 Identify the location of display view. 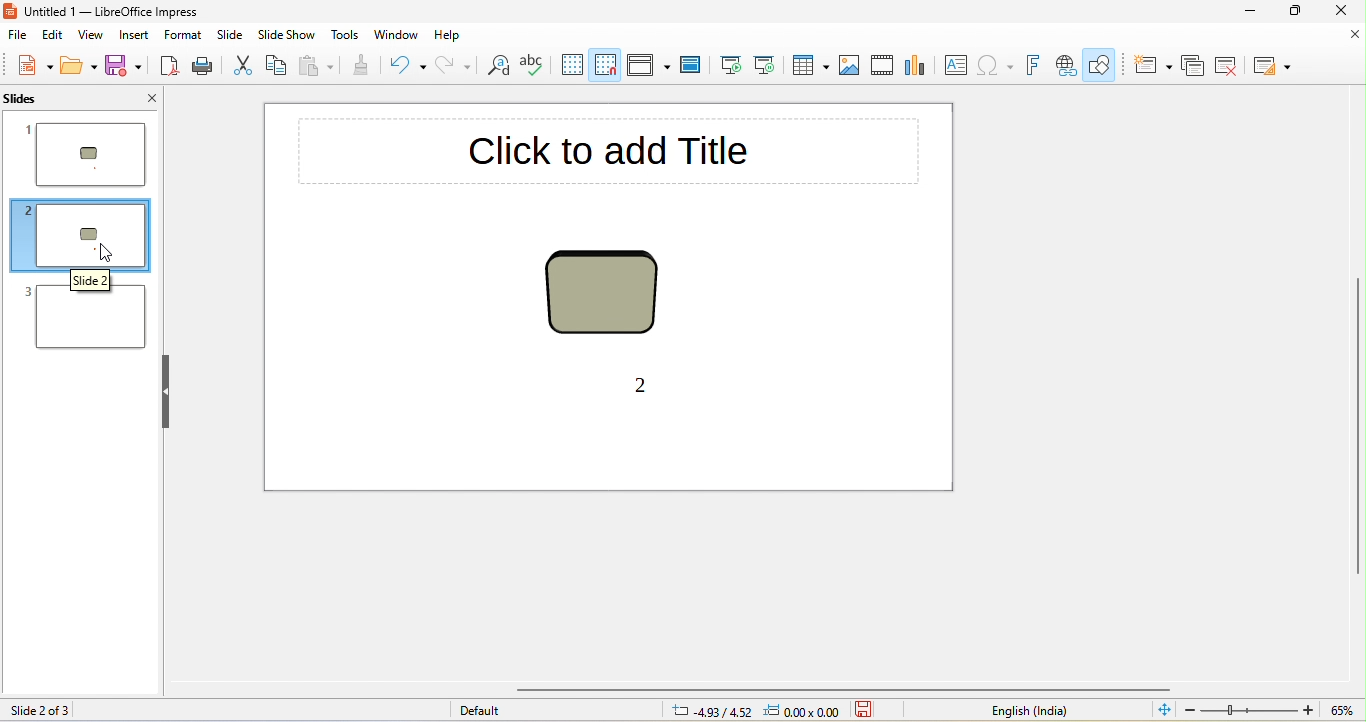
(649, 68).